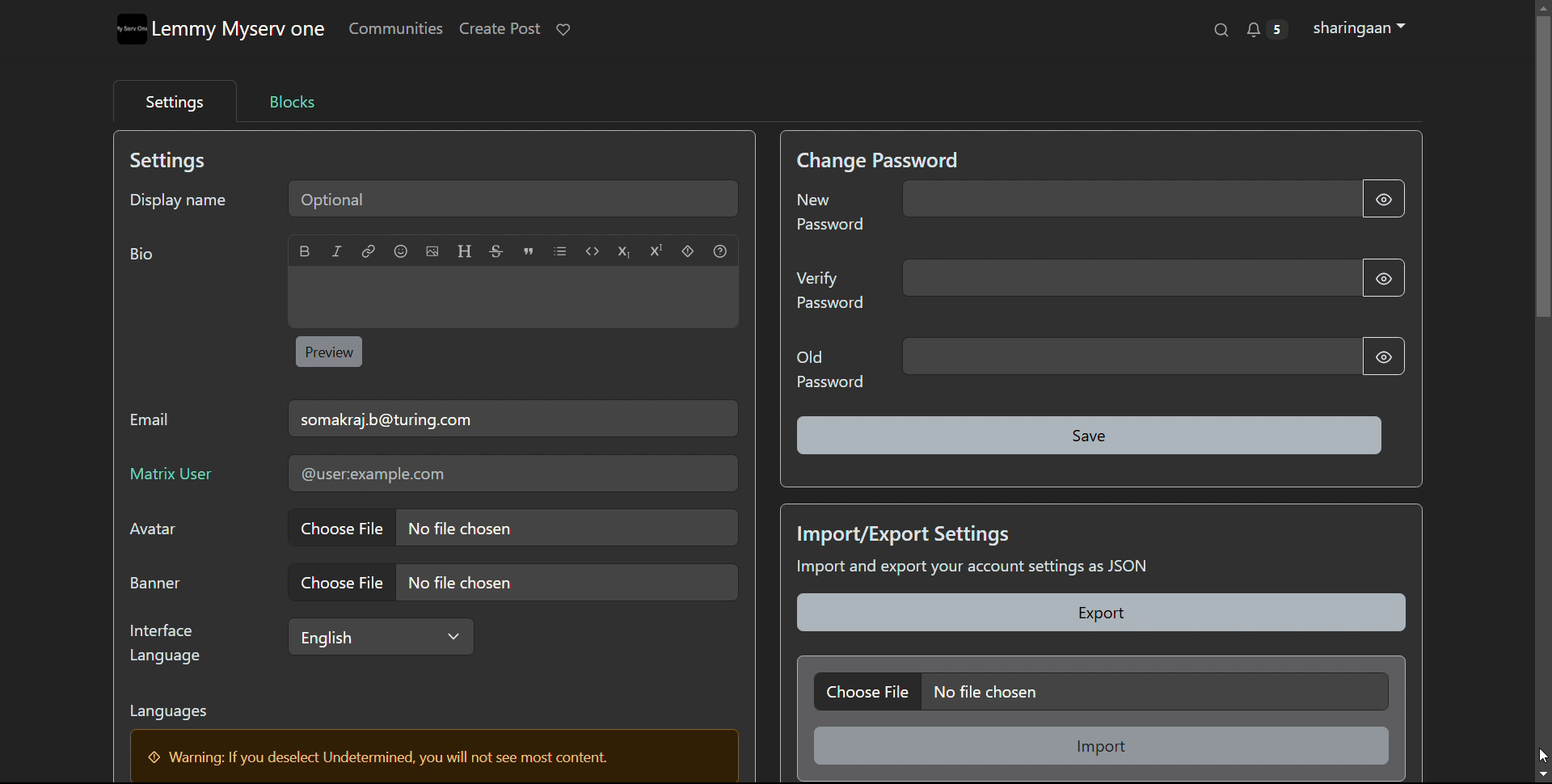  Describe the element at coordinates (1265, 29) in the screenshot. I see `notifications 5` at that location.